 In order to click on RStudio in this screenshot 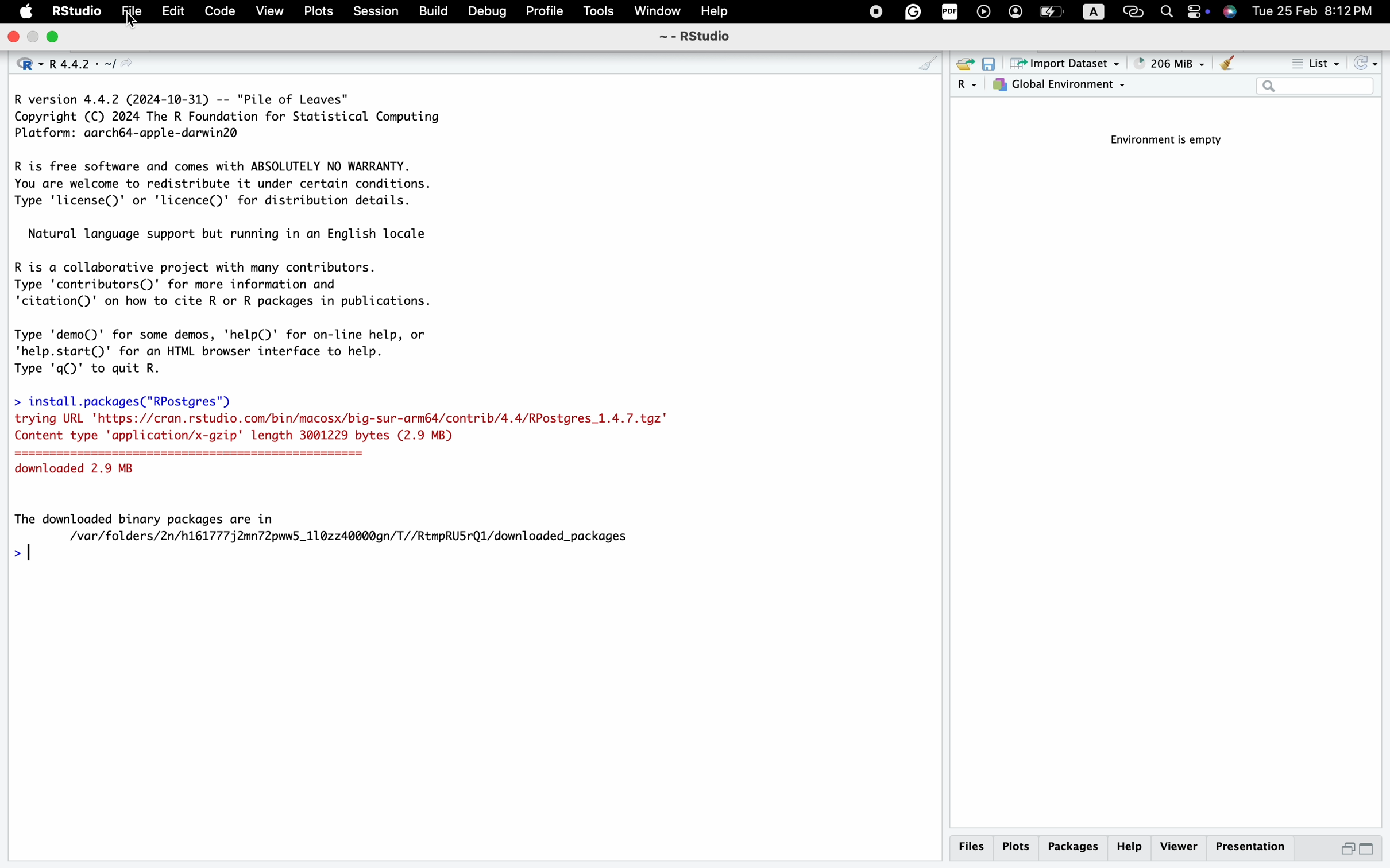, I will do `click(76, 10)`.